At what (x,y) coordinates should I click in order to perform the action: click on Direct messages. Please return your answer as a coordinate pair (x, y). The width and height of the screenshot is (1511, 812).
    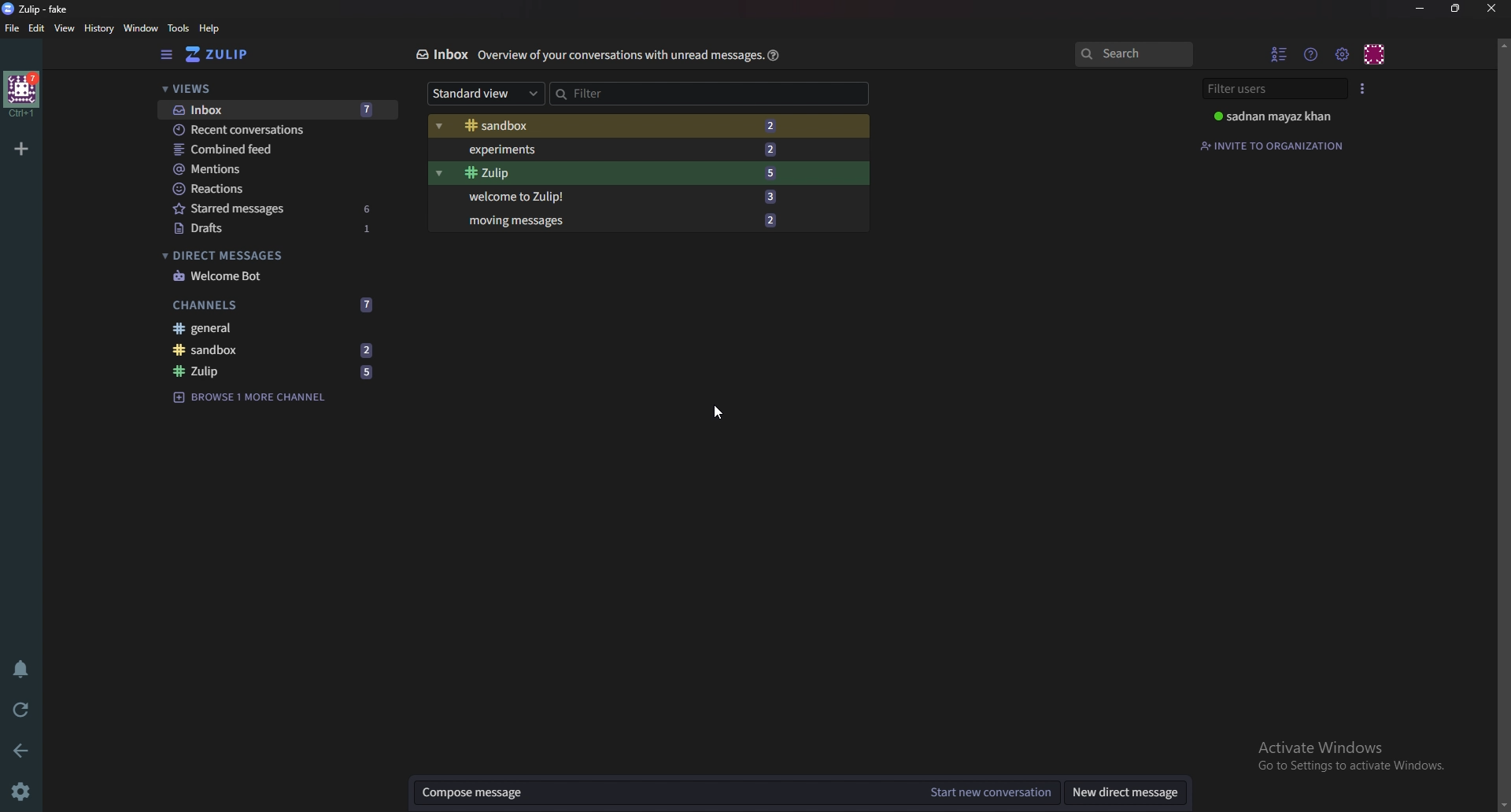
    Looking at the image, I should click on (269, 254).